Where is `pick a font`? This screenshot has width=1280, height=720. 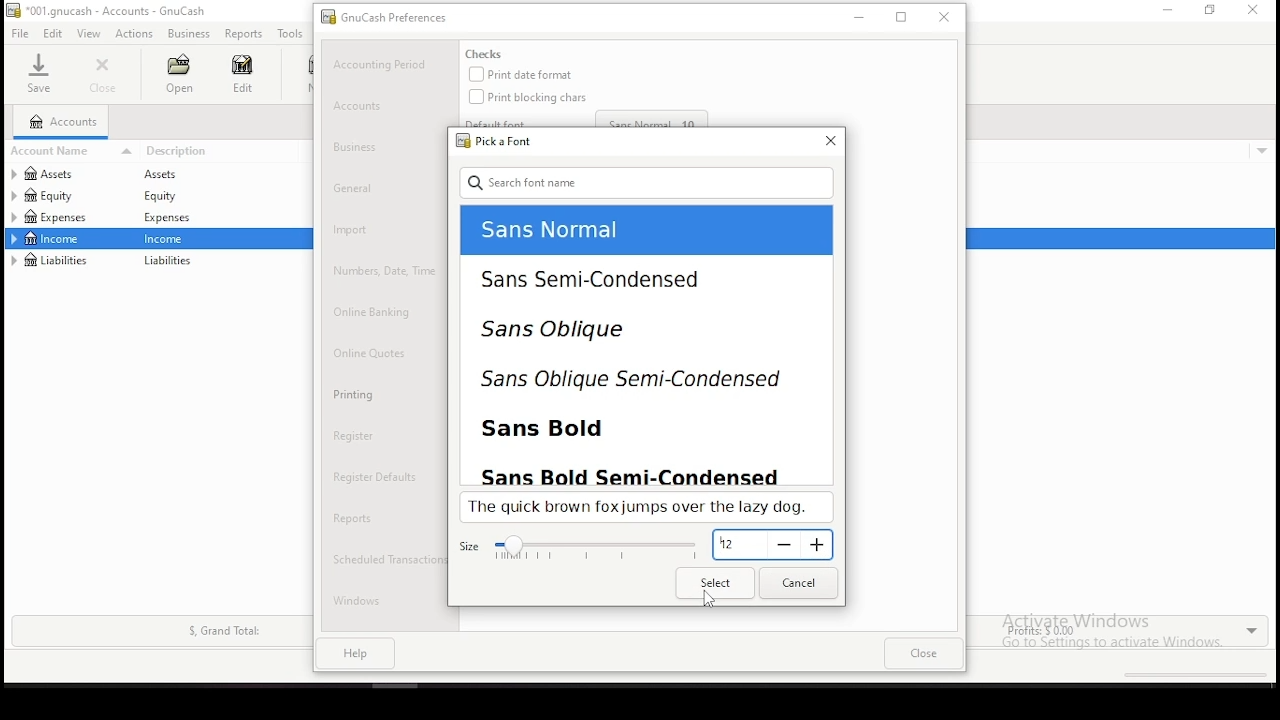 pick a font is located at coordinates (491, 141).